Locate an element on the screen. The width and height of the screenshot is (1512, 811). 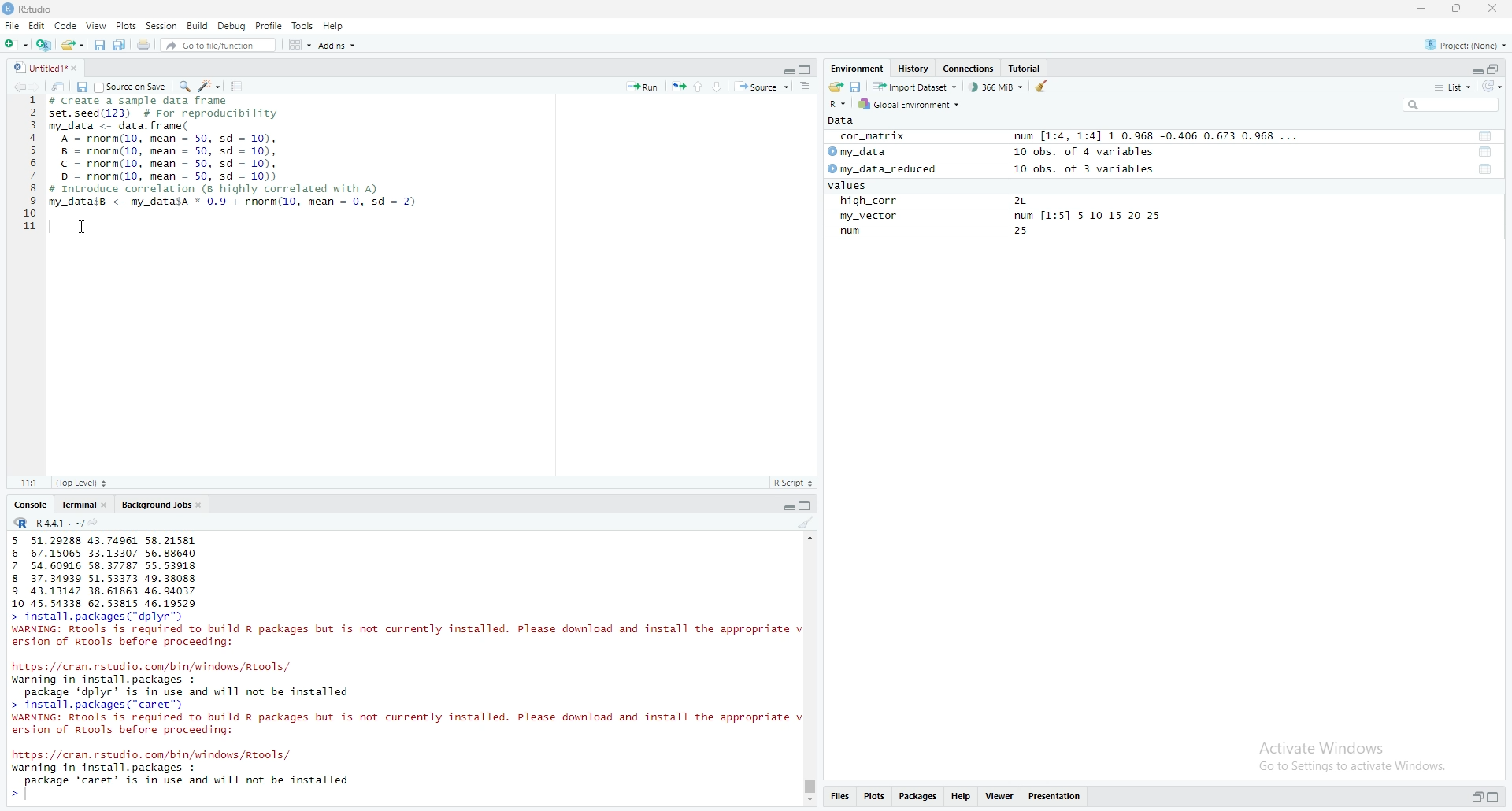
Code is located at coordinates (68, 25).